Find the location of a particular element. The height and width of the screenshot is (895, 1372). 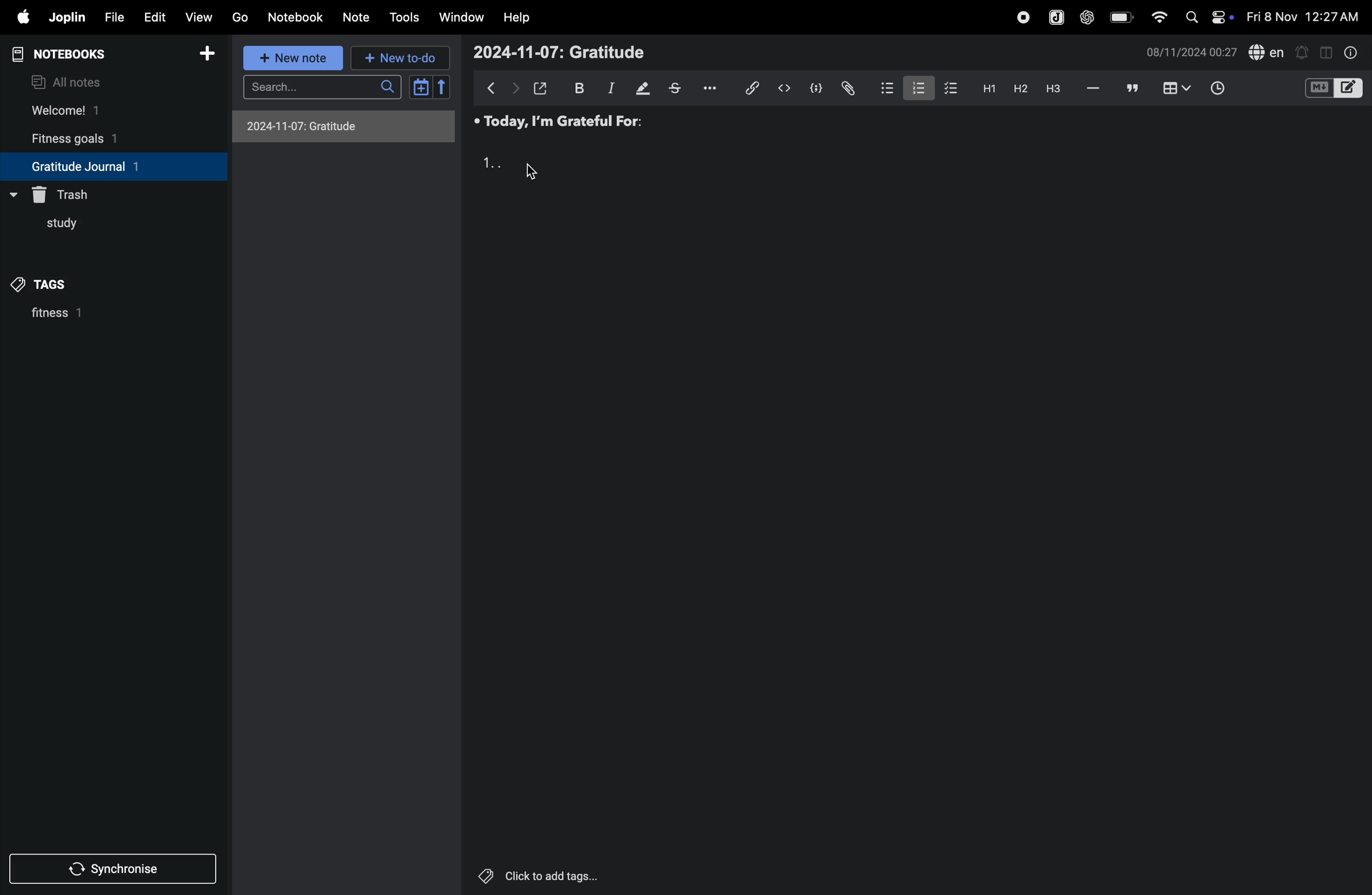

gratitude journals 1 is located at coordinates (103, 166).